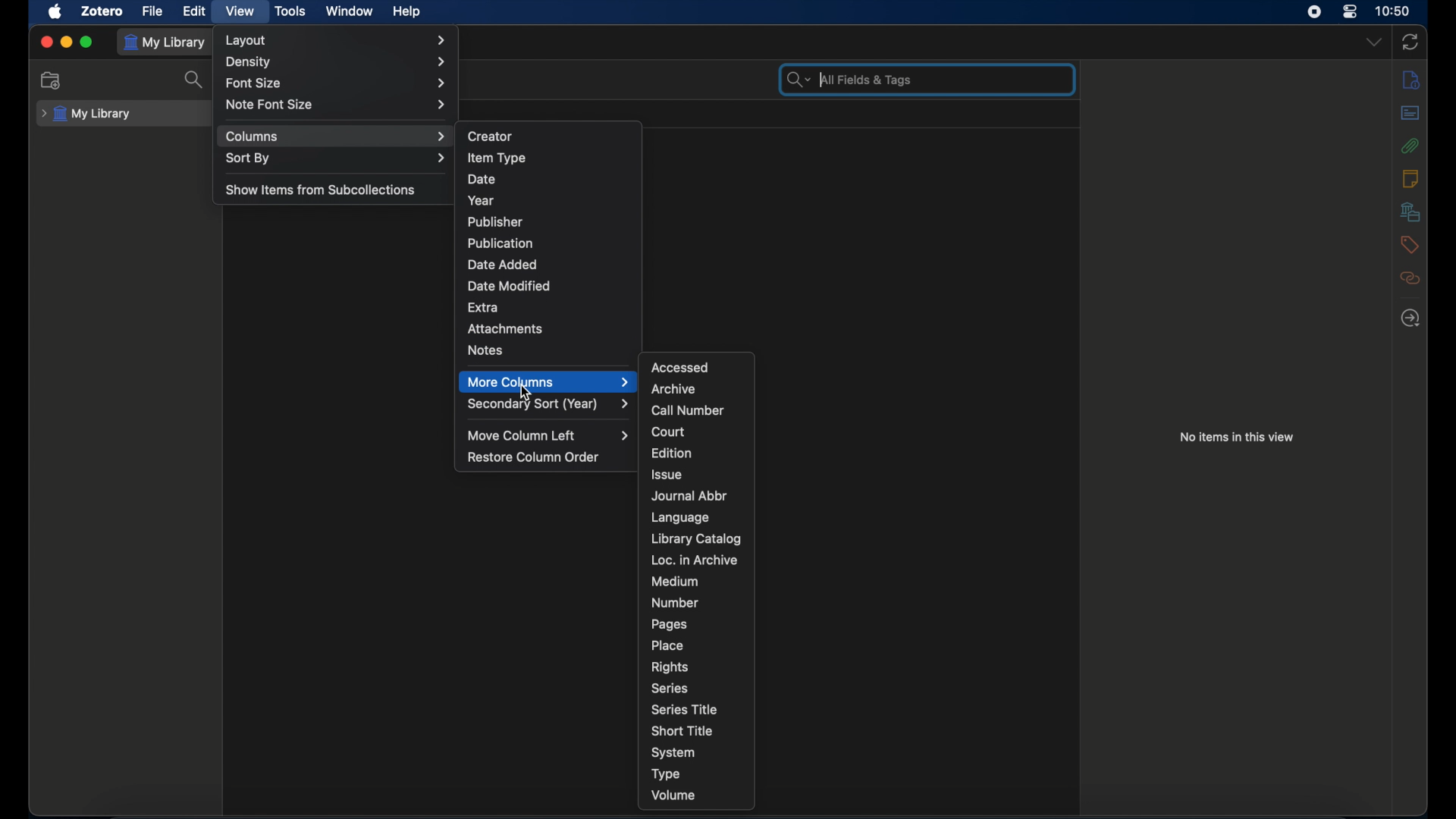 Image resolution: width=1456 pixels, height=819 pixels. Describe the element at coordinates (666, 774) in the screenshot. I see `type` at that location.